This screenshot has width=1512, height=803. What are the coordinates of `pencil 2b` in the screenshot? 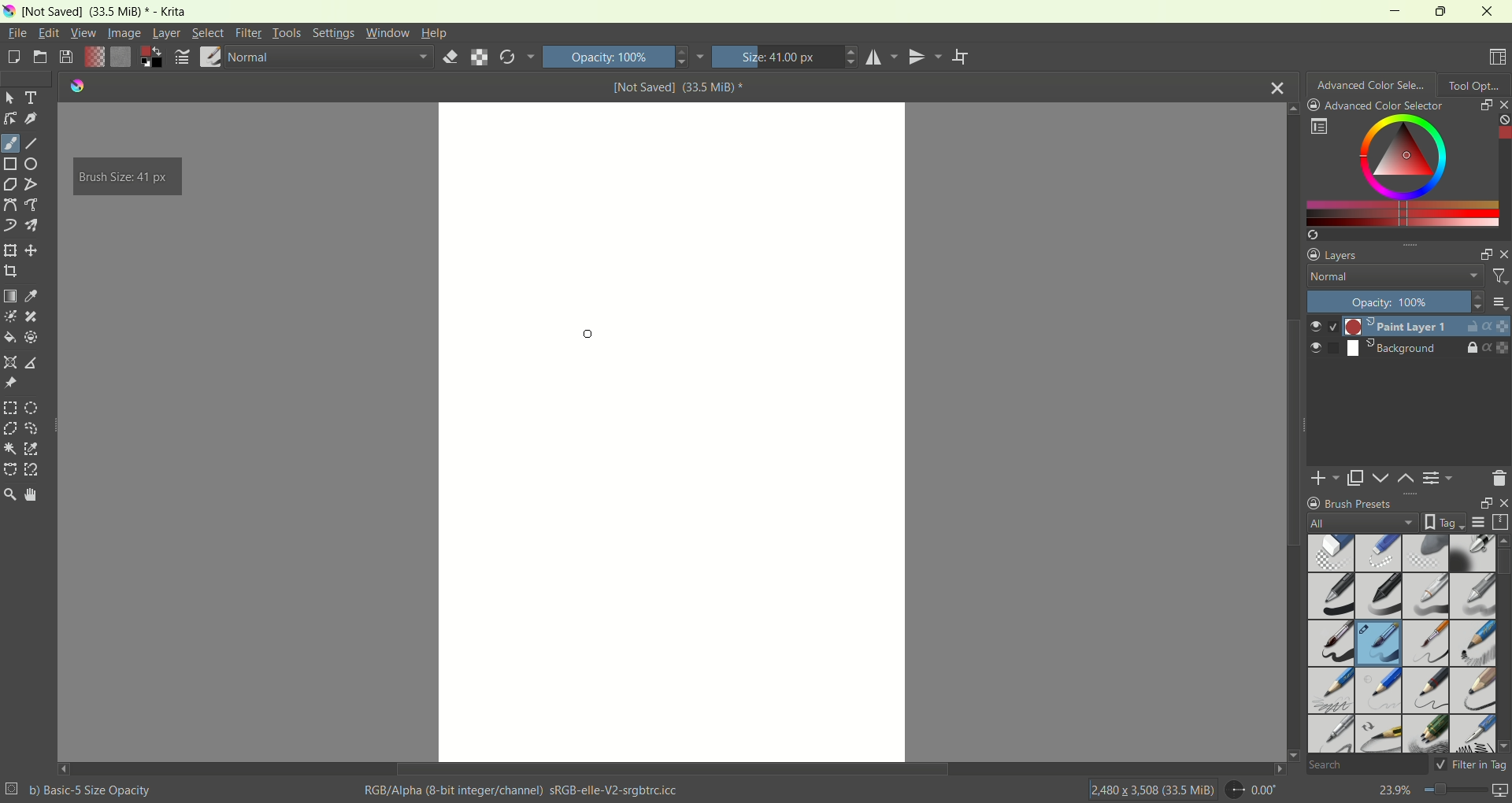 It's located at (1329, 692).